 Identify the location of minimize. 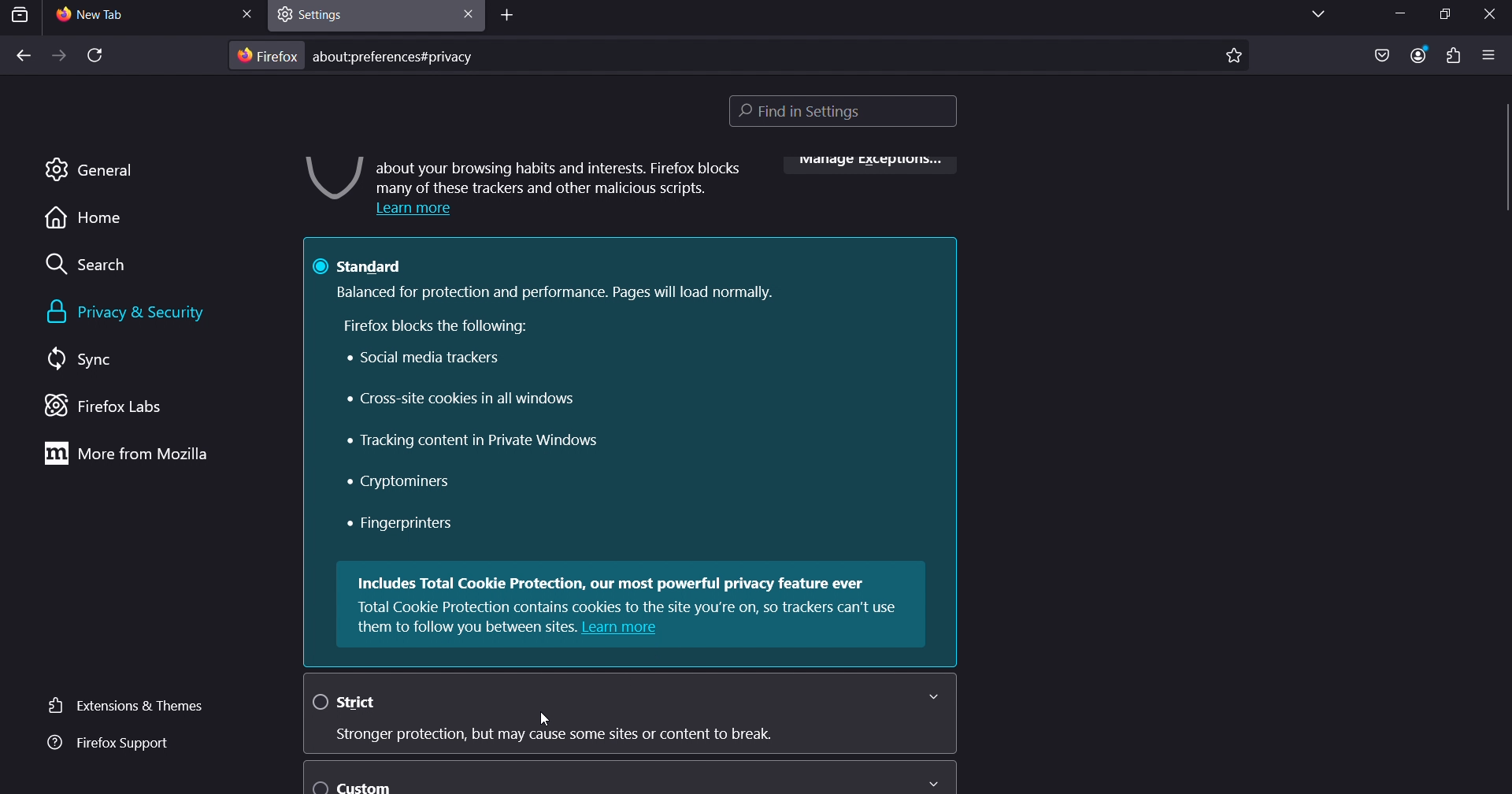
(1397, 16).